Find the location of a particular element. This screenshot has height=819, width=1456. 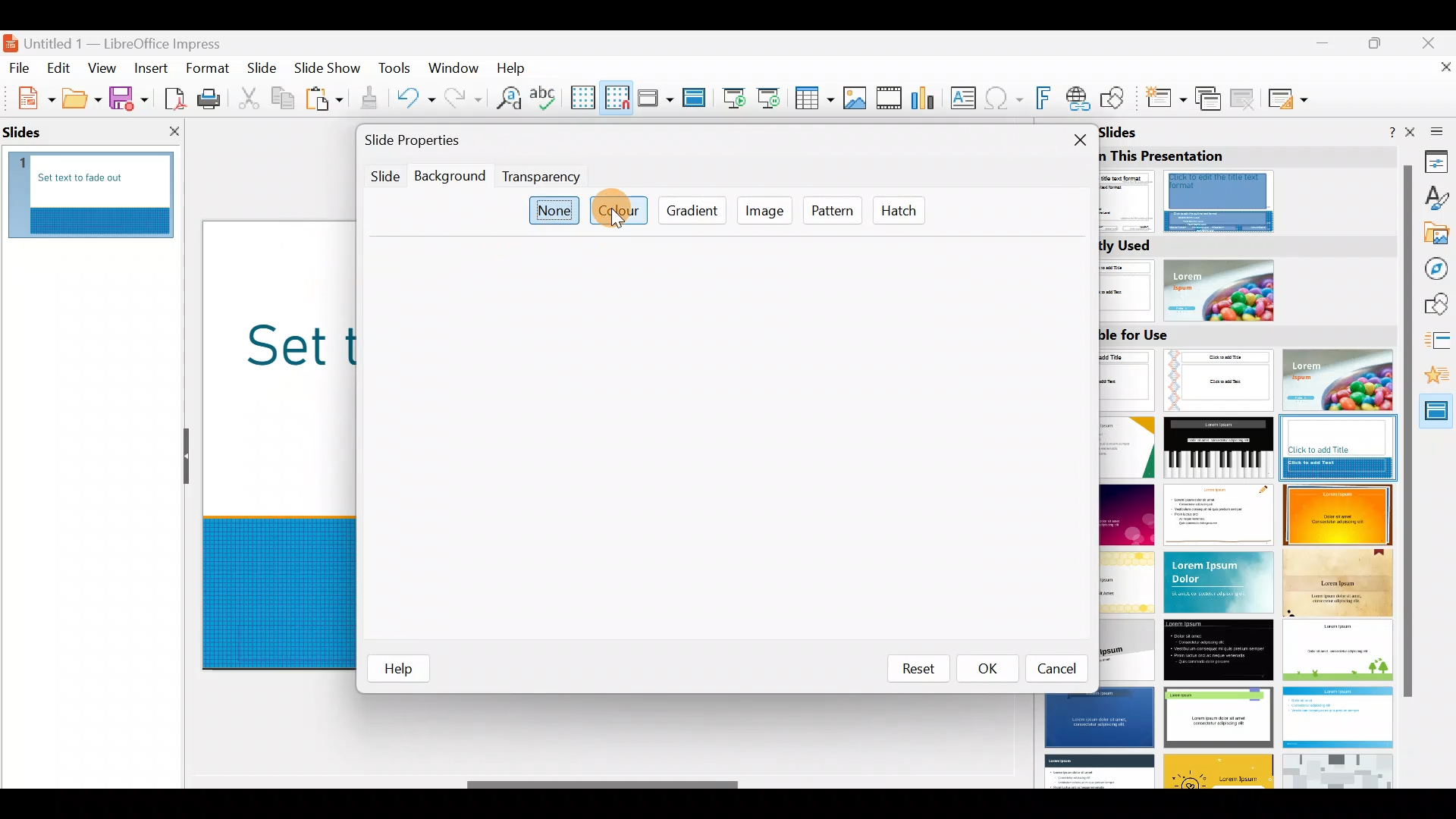

Spelling is located at coordinates (545, 97).